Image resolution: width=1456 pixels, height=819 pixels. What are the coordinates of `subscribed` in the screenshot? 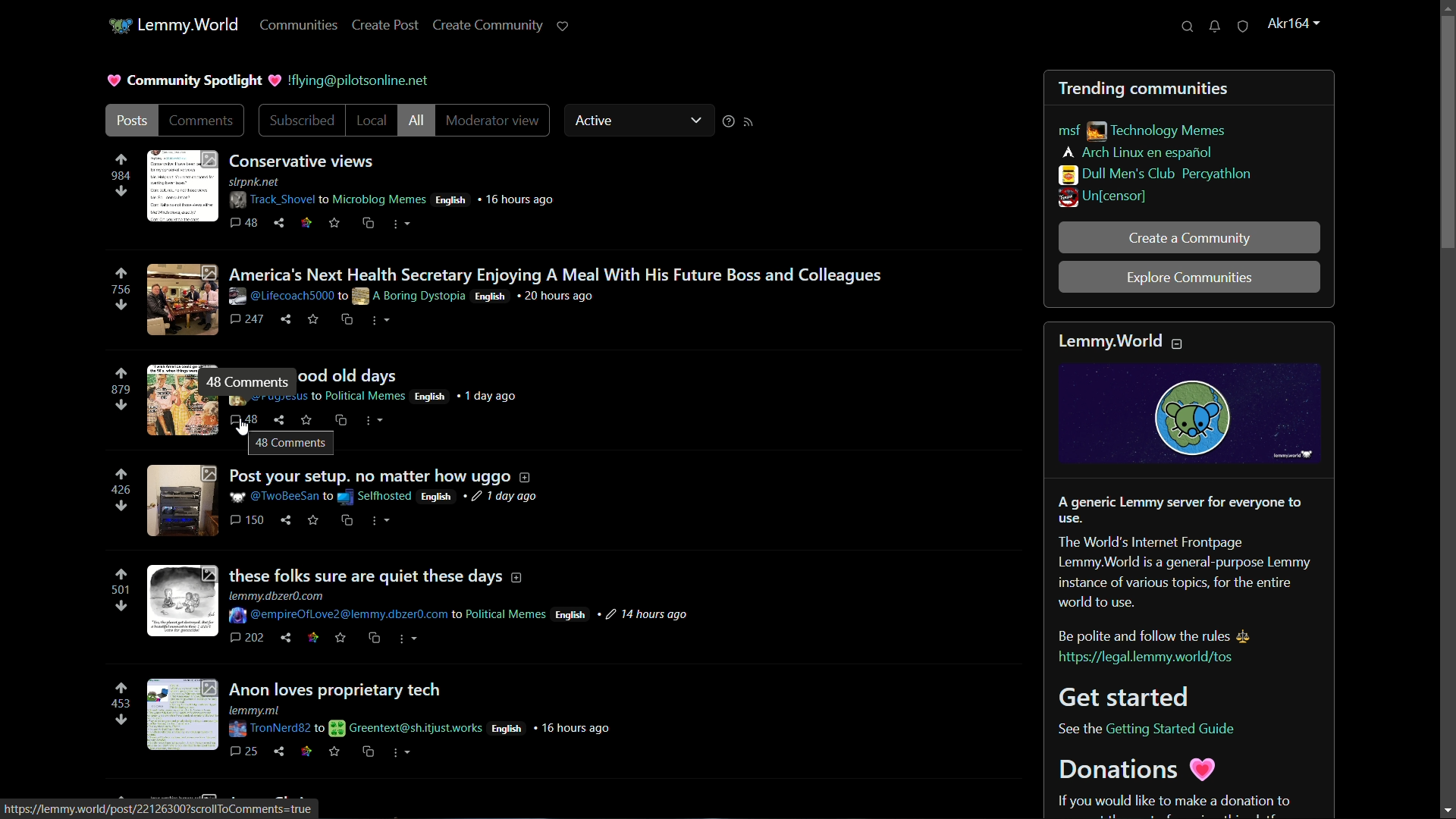 It's located at (300, 121).